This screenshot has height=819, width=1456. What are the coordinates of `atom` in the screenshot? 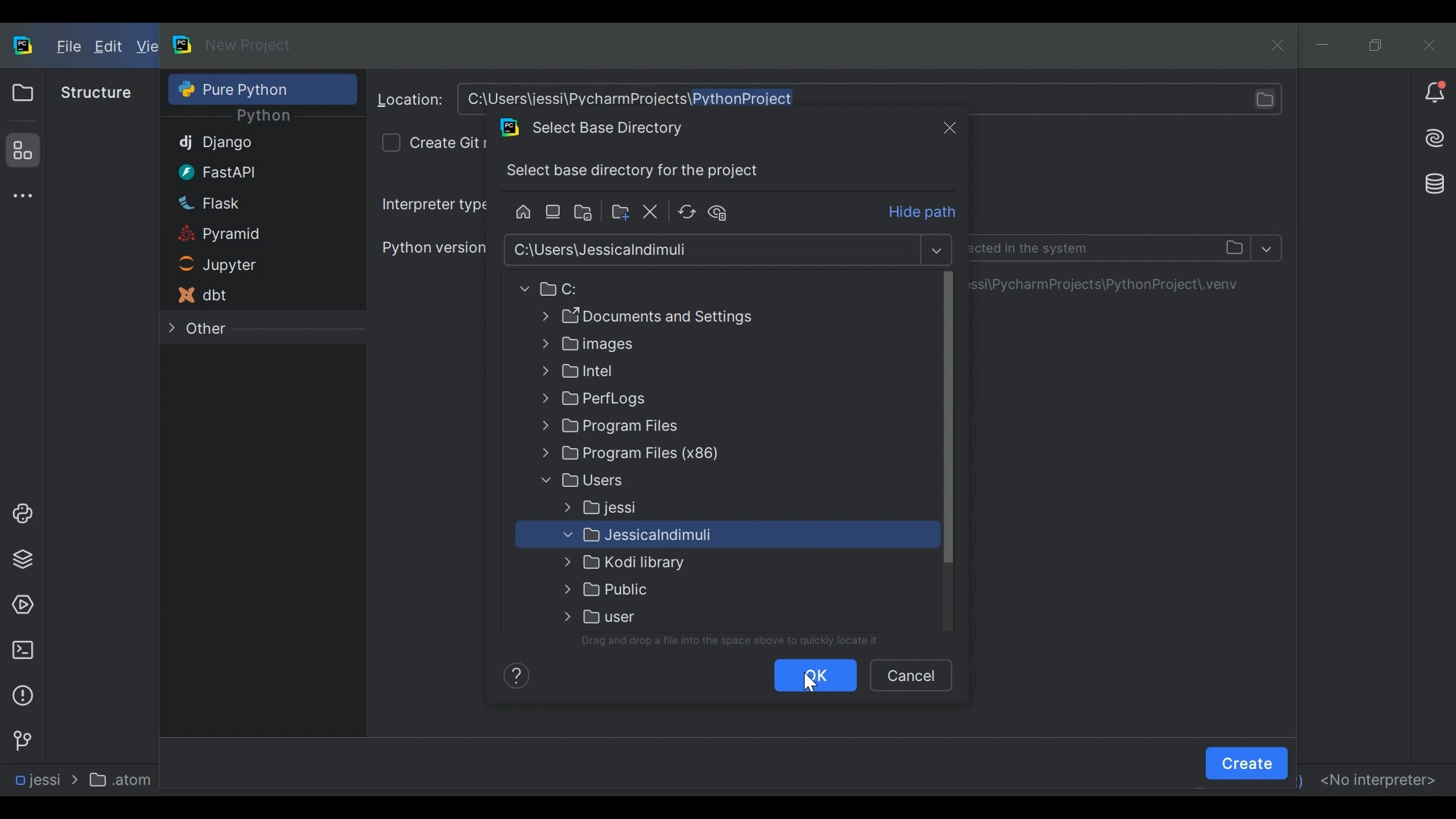 It's located at (124, 779).